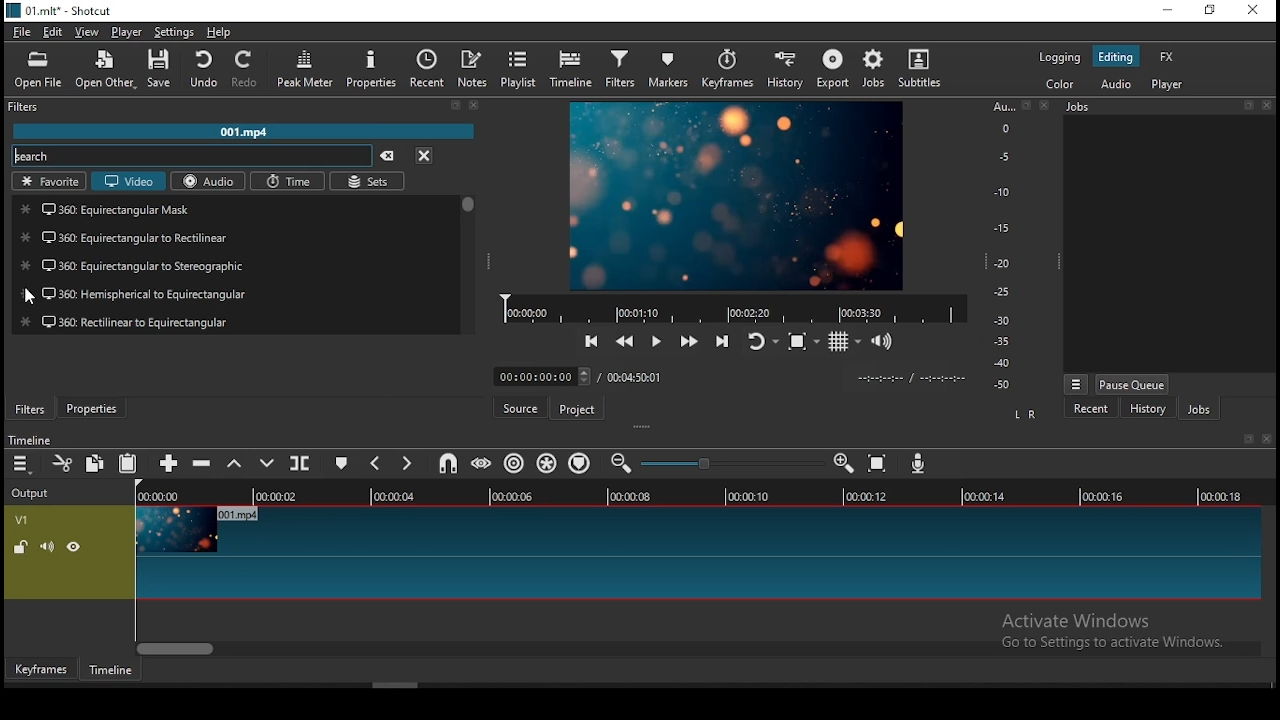  What do you see at coordinates (232, 209) in the screenshot?
I see `filter option` at bounding box center [232, 209].